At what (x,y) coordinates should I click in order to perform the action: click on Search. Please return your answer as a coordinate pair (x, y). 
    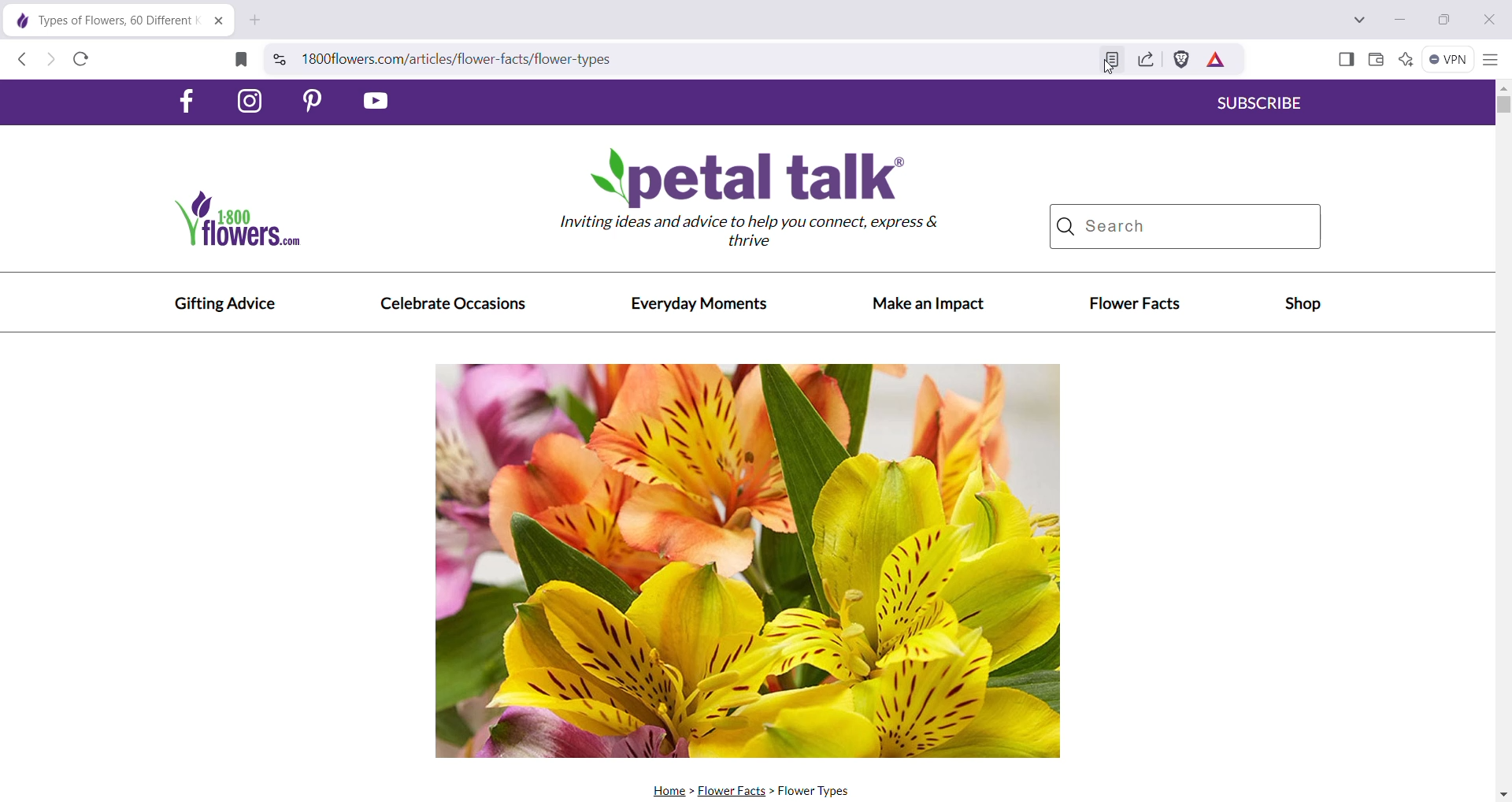
    Looking at the image, I should click on (1185, 227).